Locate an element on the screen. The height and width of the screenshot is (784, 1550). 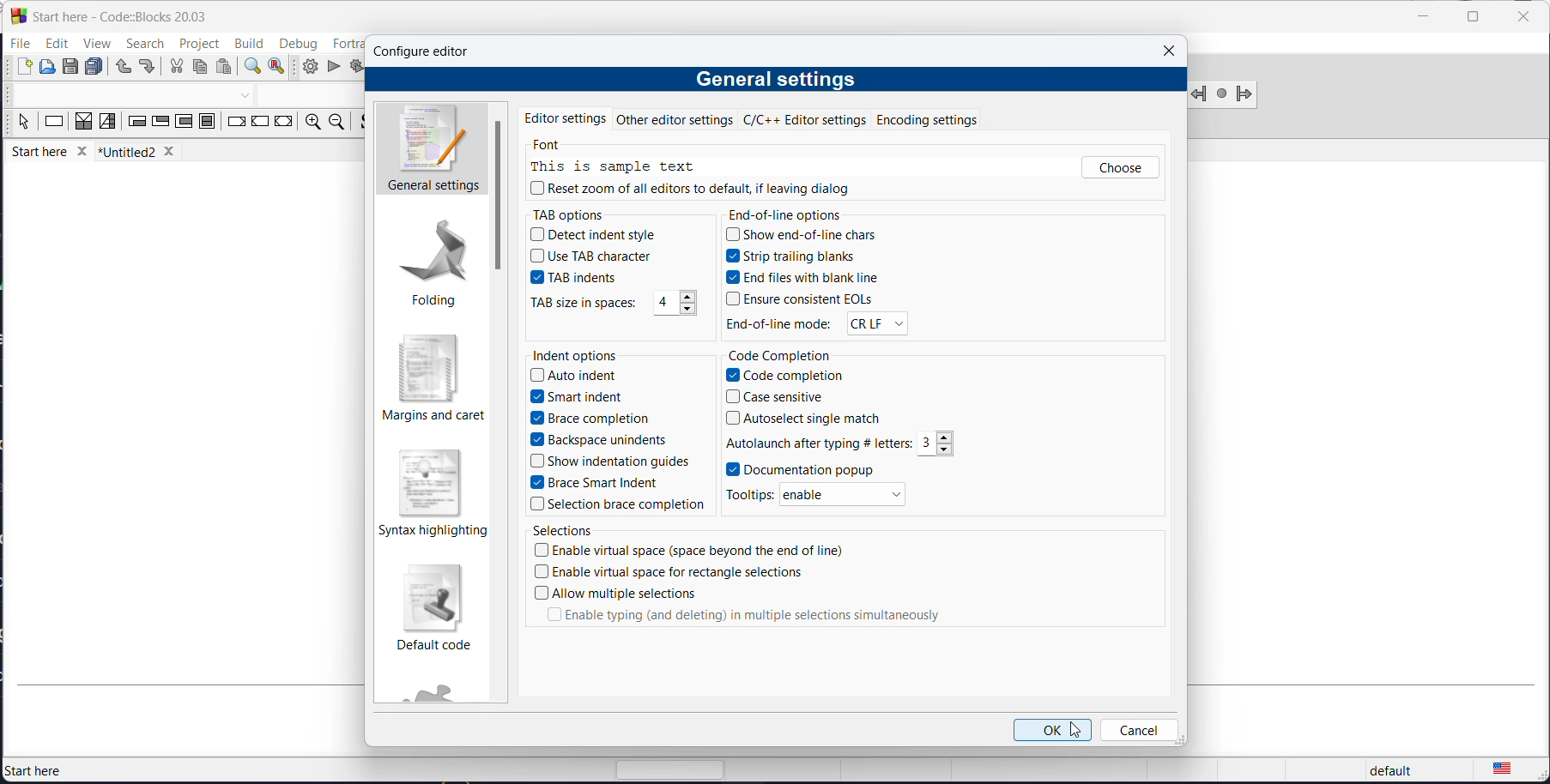
indent options is located at coordinates (580, 355).